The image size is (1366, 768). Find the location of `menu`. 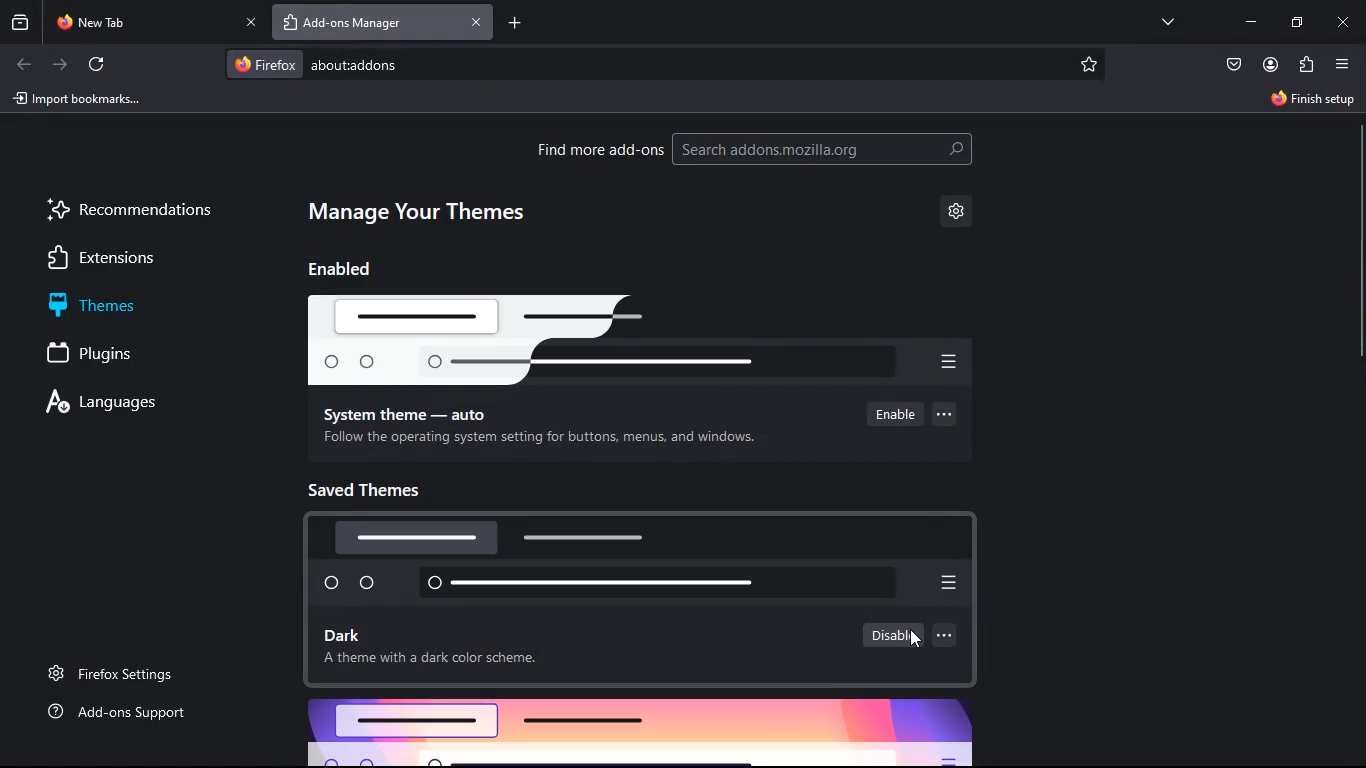

menu is located at coordinates (1341, 64).